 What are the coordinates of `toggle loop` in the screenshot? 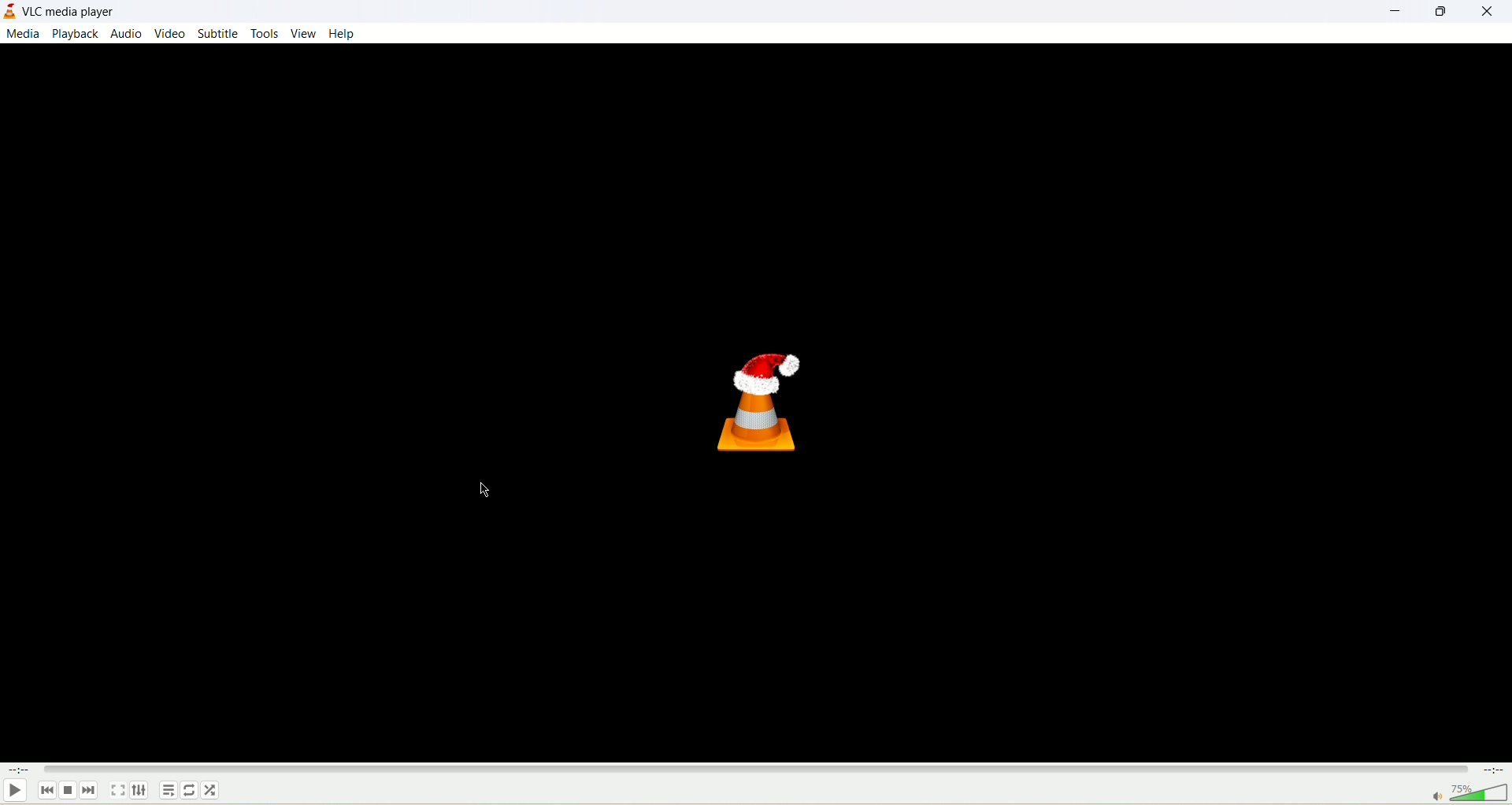 It's located at (191, 789).